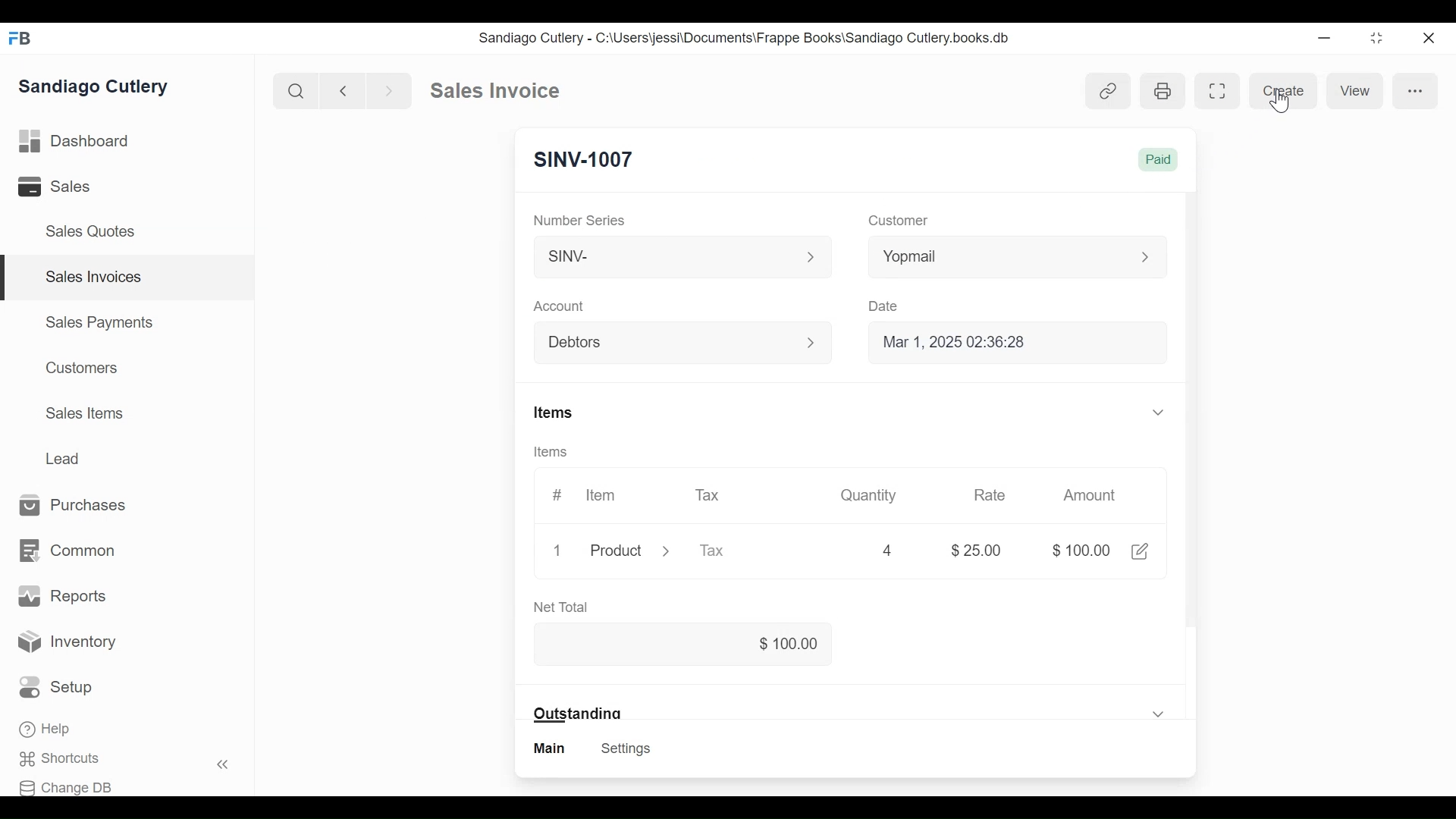 Image resolution: width=1456 pixels, height=819 pixels. What do you see at coordinates (602, 495) in the screenshot?
I see `Item` at bounding box center [602, 495].